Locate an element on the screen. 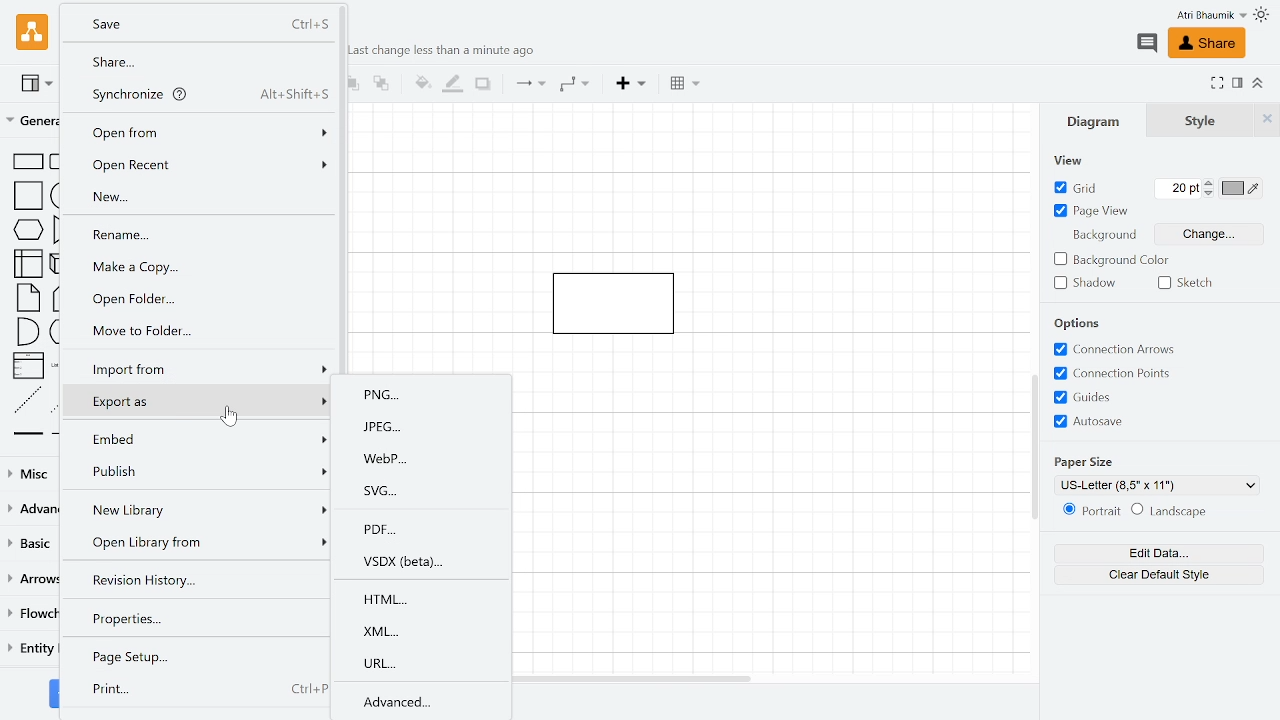  Publish is located at coordinates (197, 474).